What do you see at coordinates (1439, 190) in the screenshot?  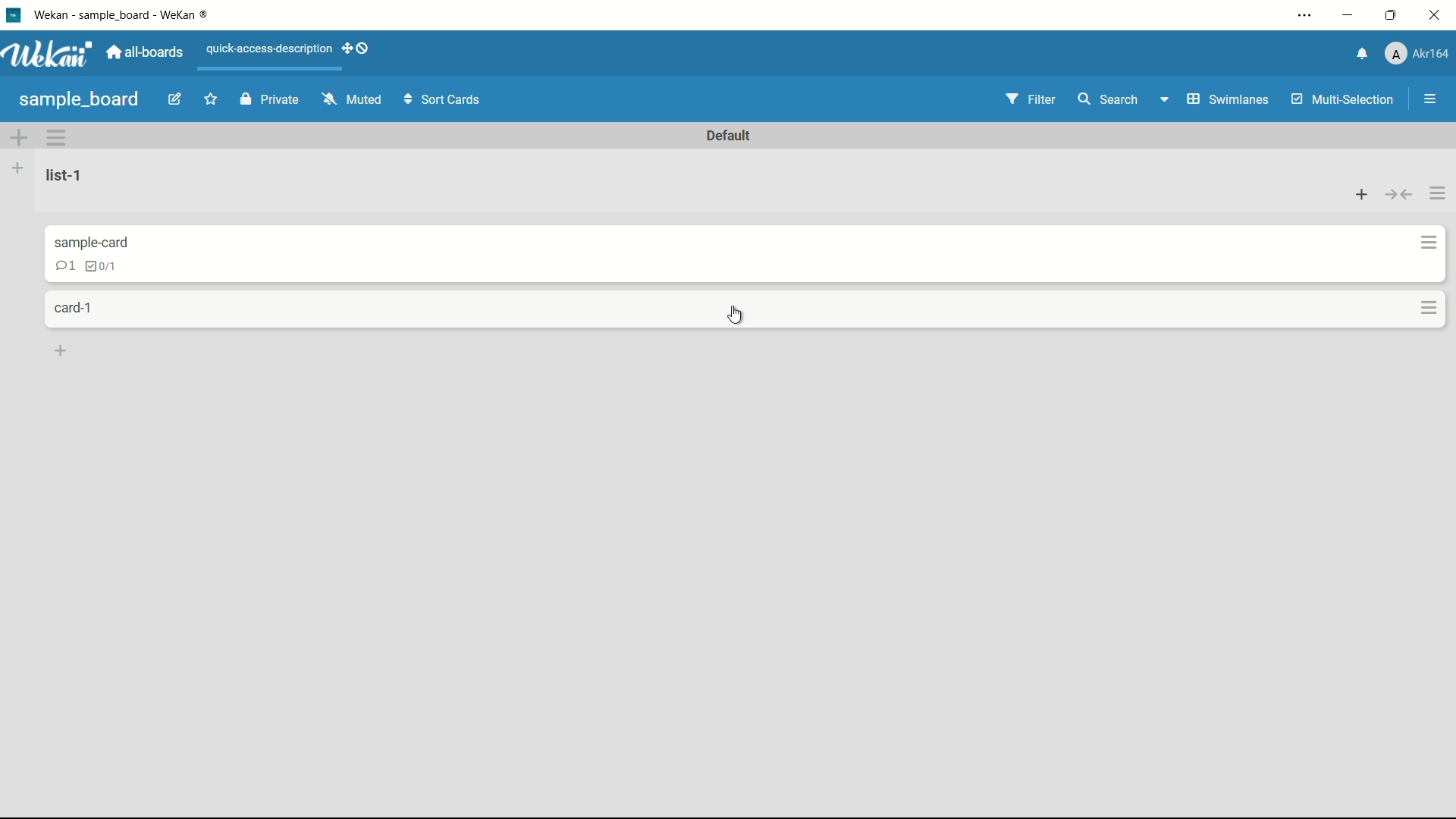 I see `list actions` at bounding box center [1439, 190].